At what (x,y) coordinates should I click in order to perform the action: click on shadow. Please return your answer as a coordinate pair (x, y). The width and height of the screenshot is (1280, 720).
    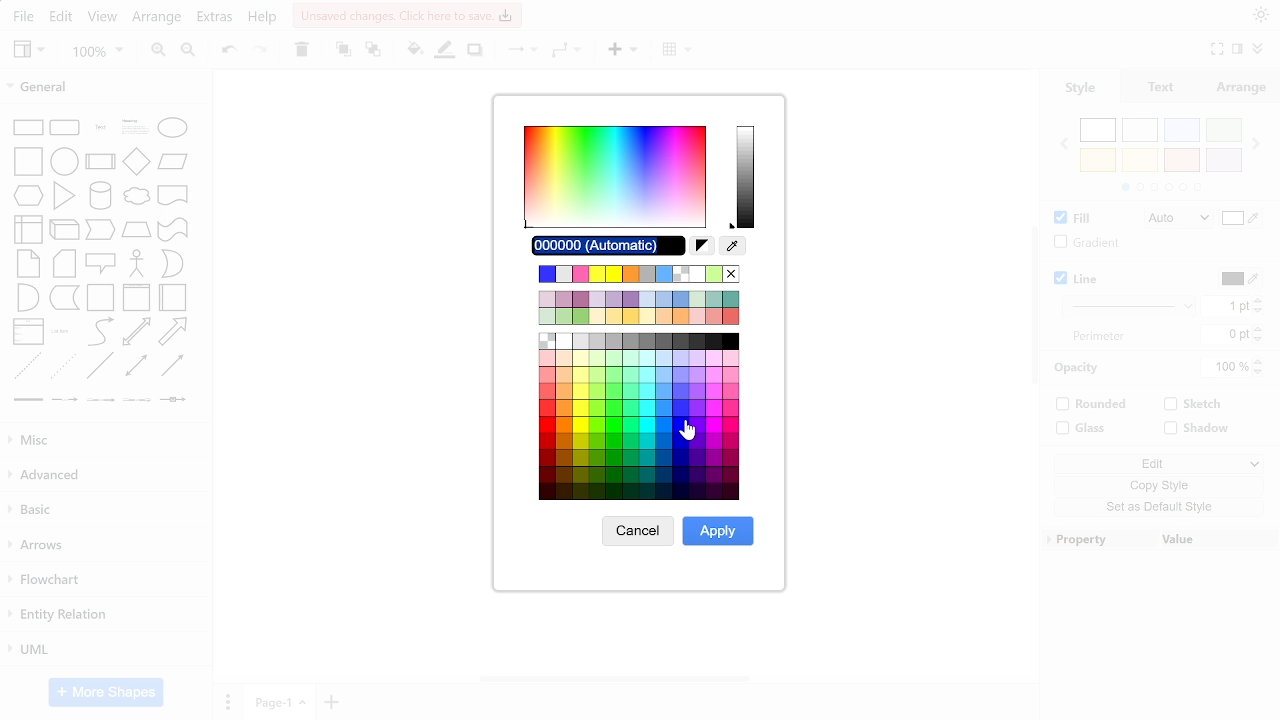
    Looking at the image, I should click on (1200, 429).